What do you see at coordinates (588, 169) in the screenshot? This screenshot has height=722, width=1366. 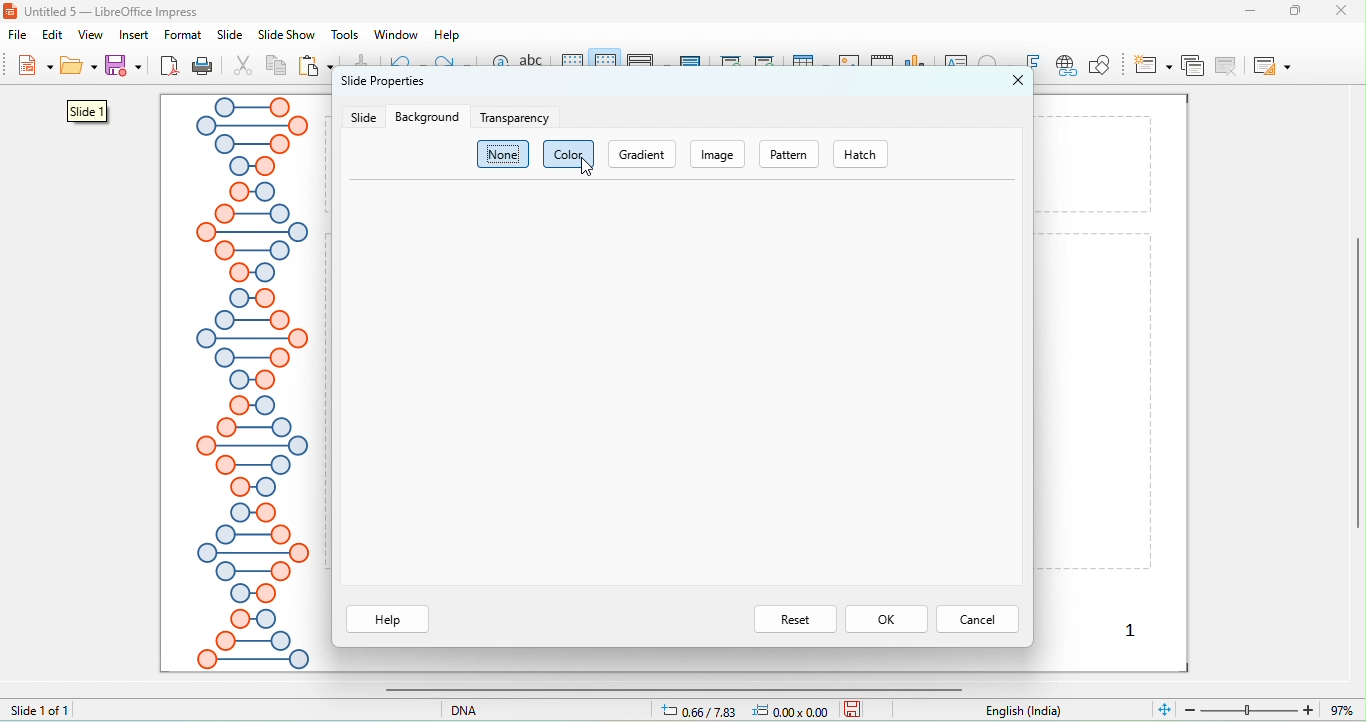 I see `cursor movement` at bounding box center [588, 169].